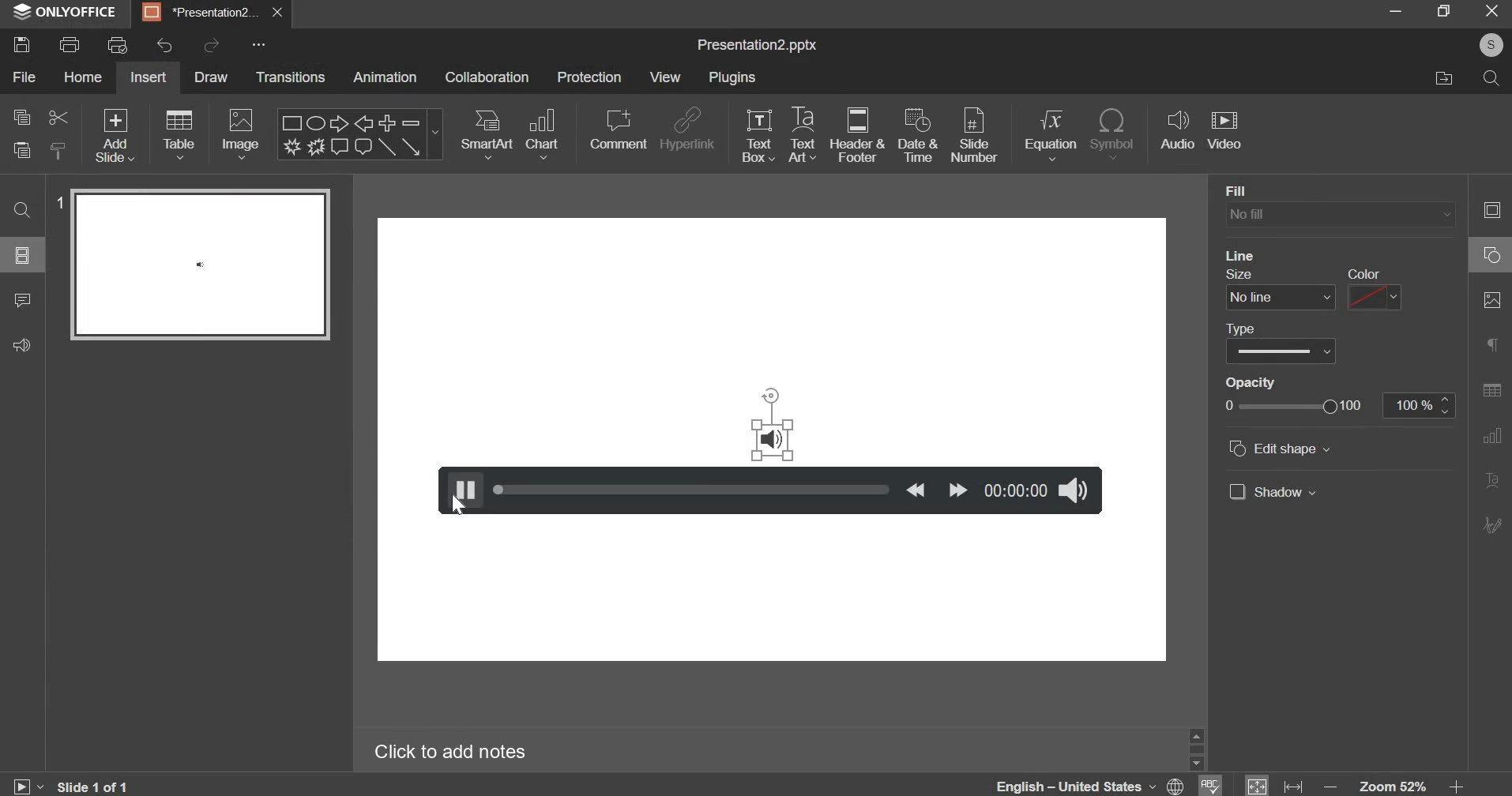  Describe the element at coordinates (1442, 12) in the screenshot. I see `maximize` at that location.